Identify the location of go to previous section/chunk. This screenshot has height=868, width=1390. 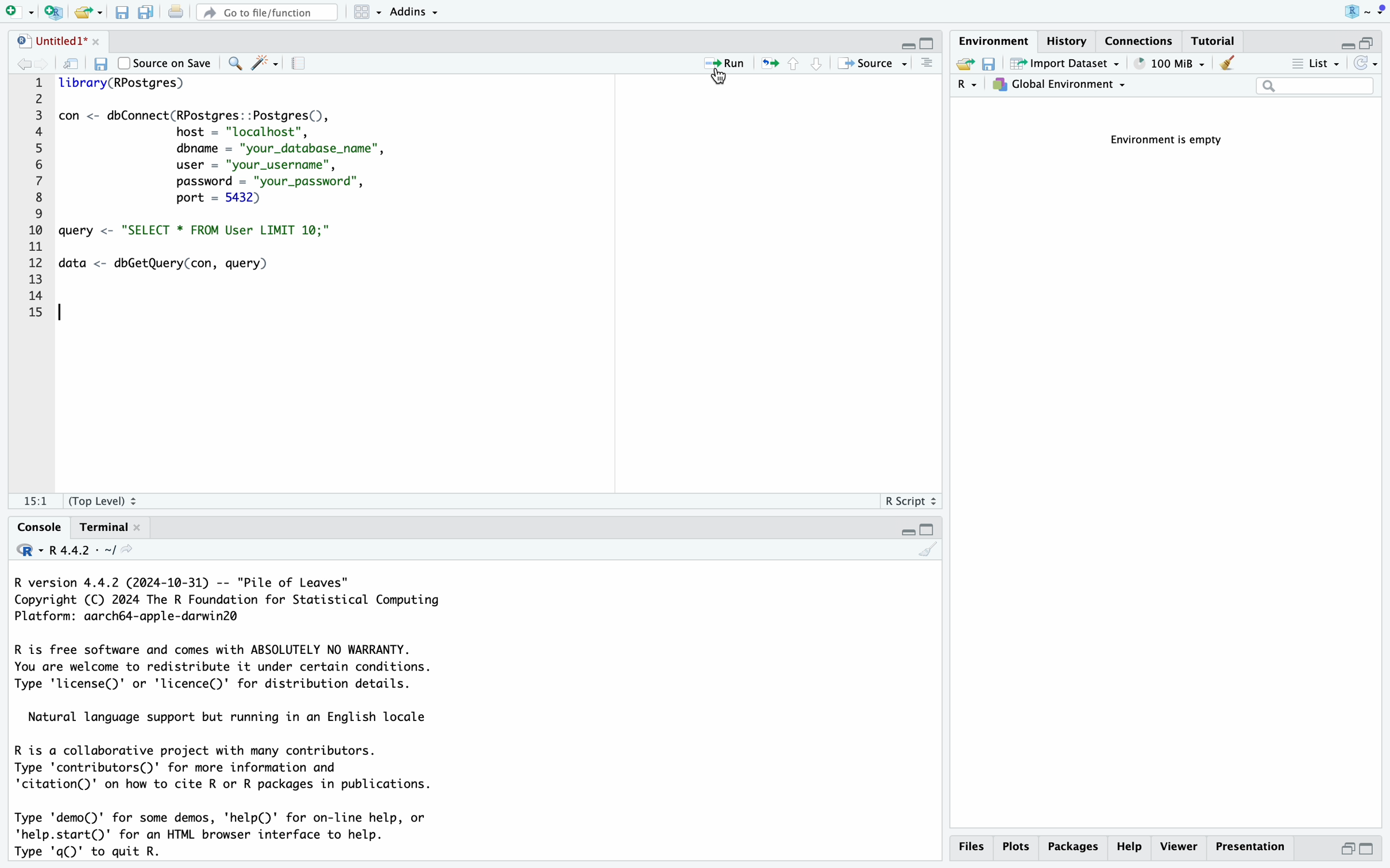
(793, 68).